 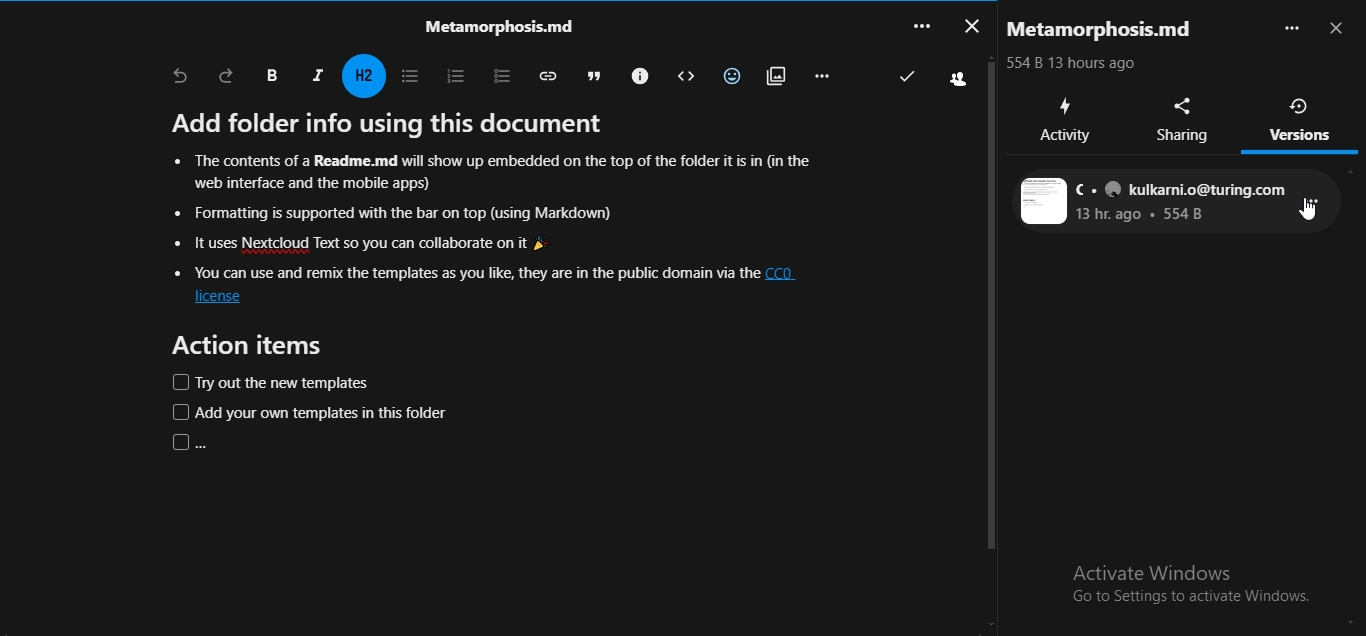 I want to click on Cursor, so click(x=1308, y=212).